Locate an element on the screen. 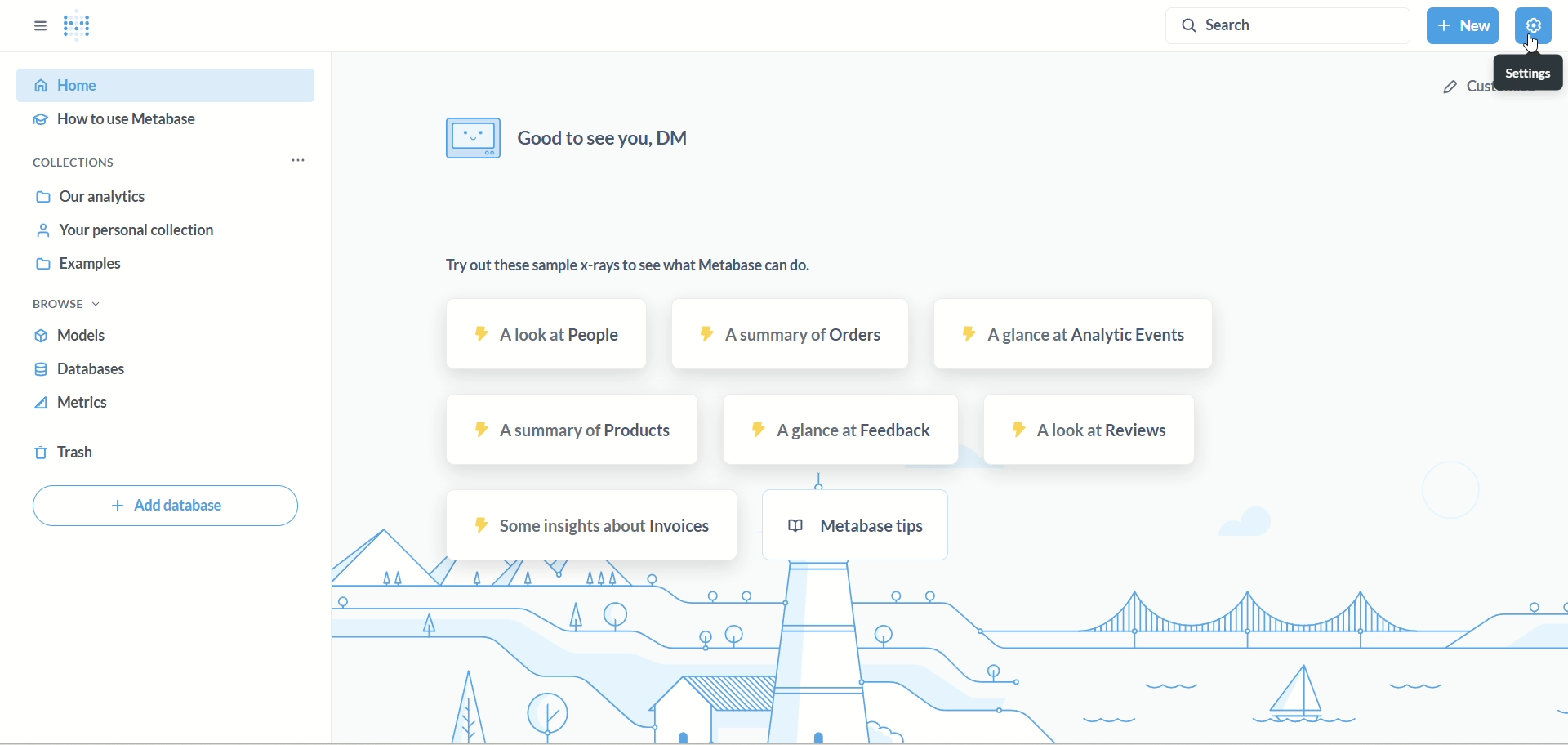  how to use metabase is located at coordinates (130, 124).